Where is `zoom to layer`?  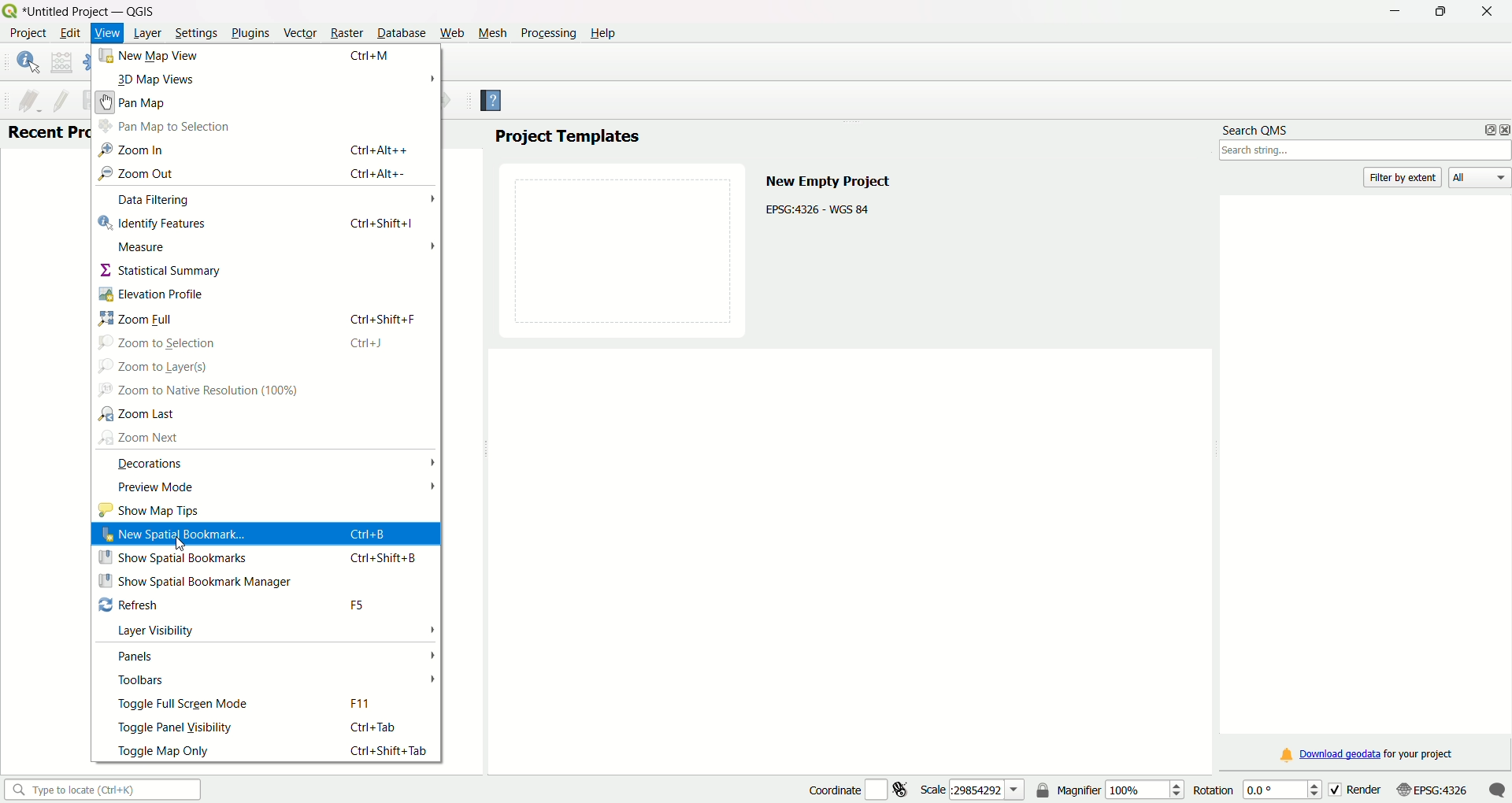
zoom to layer is located at coordinates (157, 366).